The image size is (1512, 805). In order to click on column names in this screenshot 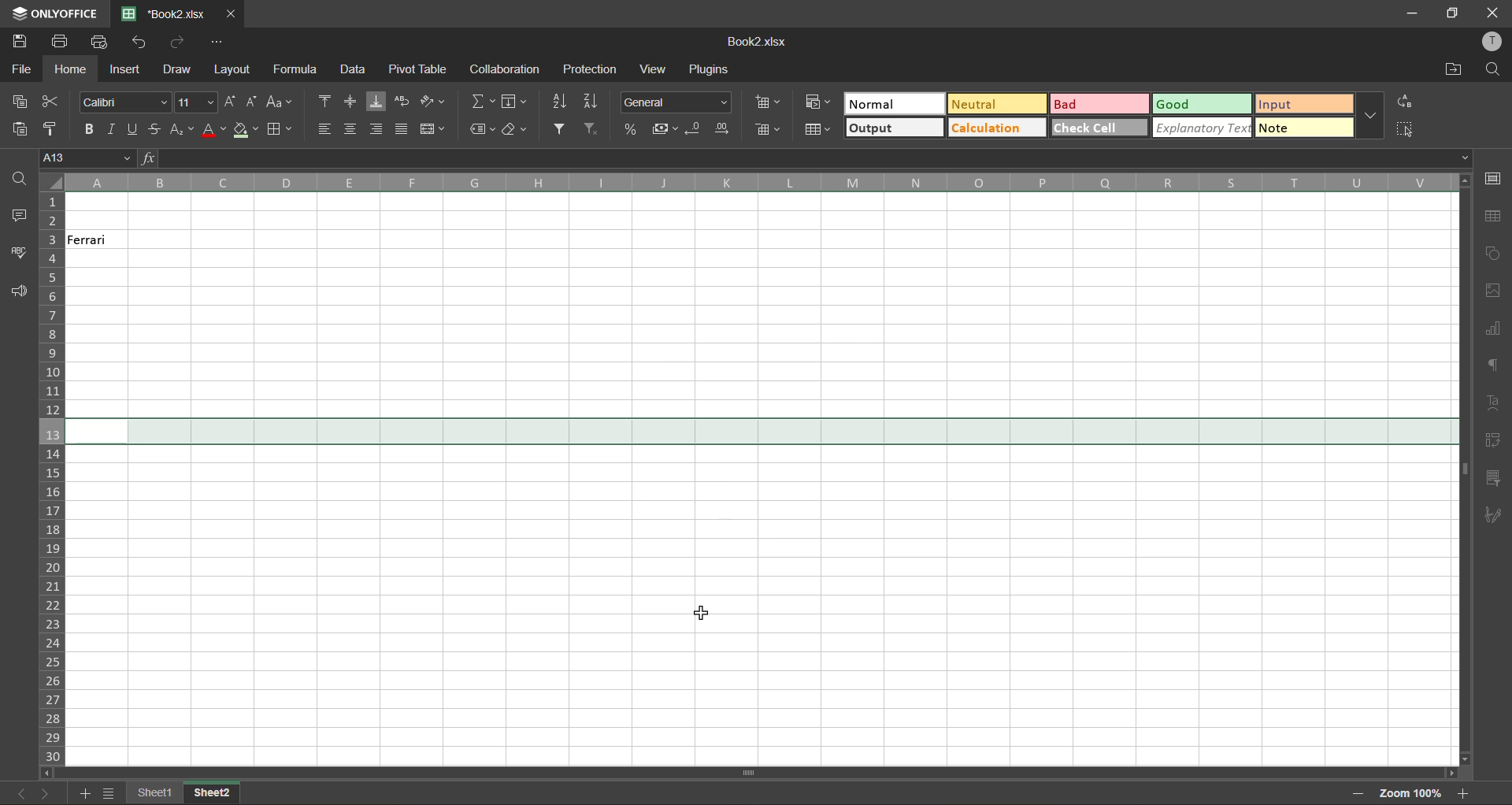, I will do `click(756, 183)`.